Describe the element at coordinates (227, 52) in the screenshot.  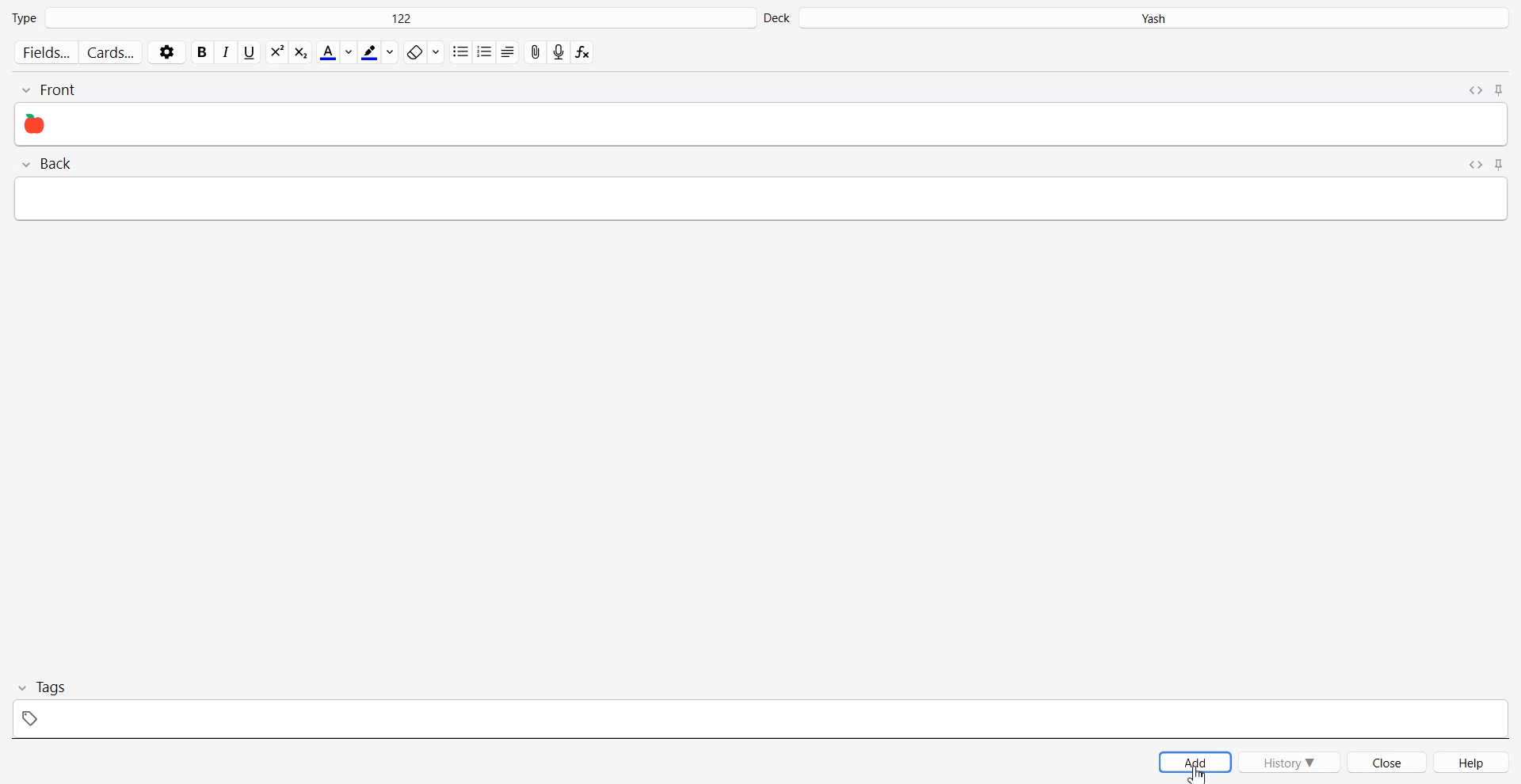
I see `Italic` at that location.